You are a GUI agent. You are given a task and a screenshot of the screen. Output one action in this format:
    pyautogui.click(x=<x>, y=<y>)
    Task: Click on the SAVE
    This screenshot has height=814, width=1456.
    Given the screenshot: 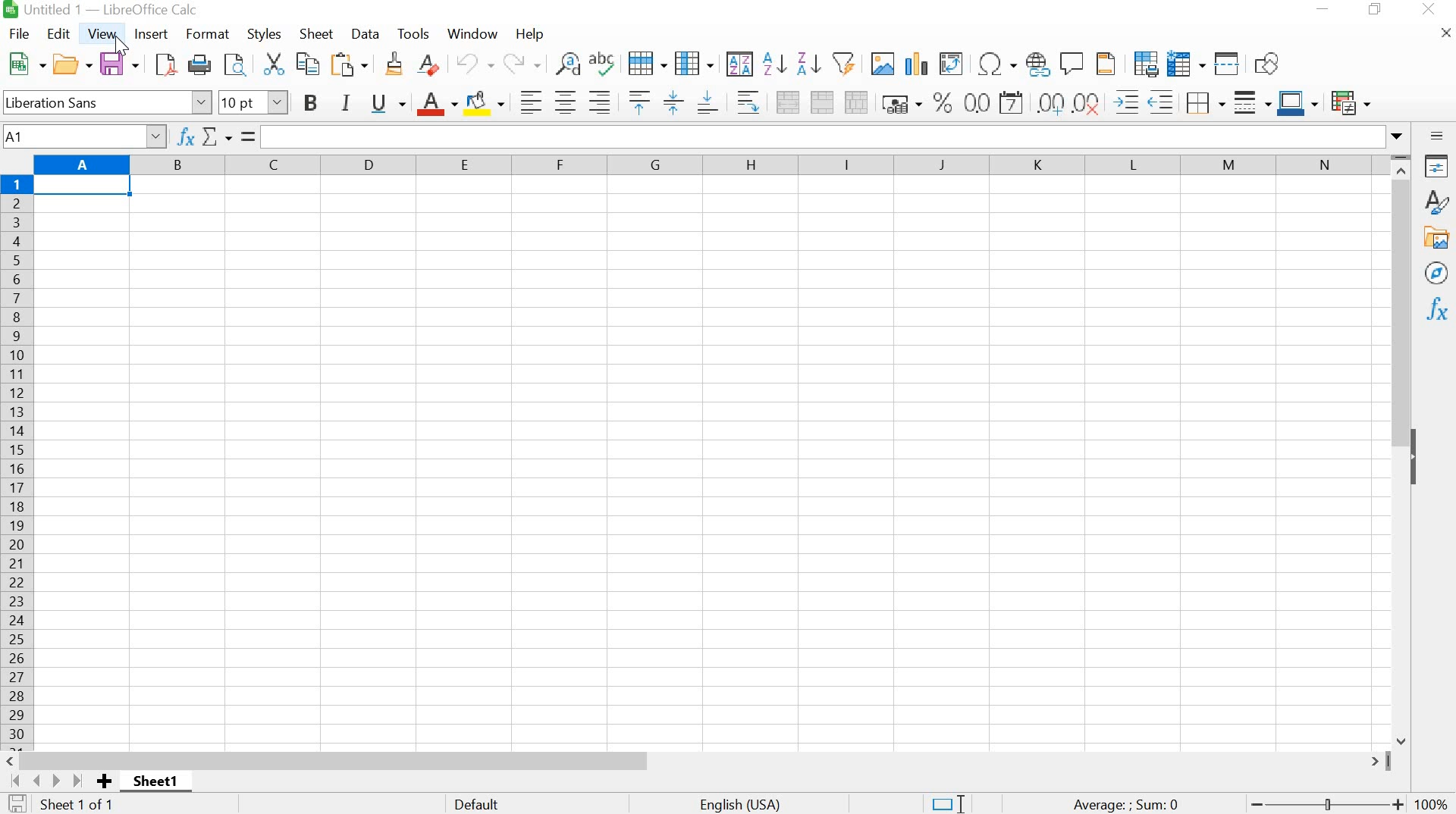 What is the action you would take?
    pyautogui.click(x=119, y=64)
    